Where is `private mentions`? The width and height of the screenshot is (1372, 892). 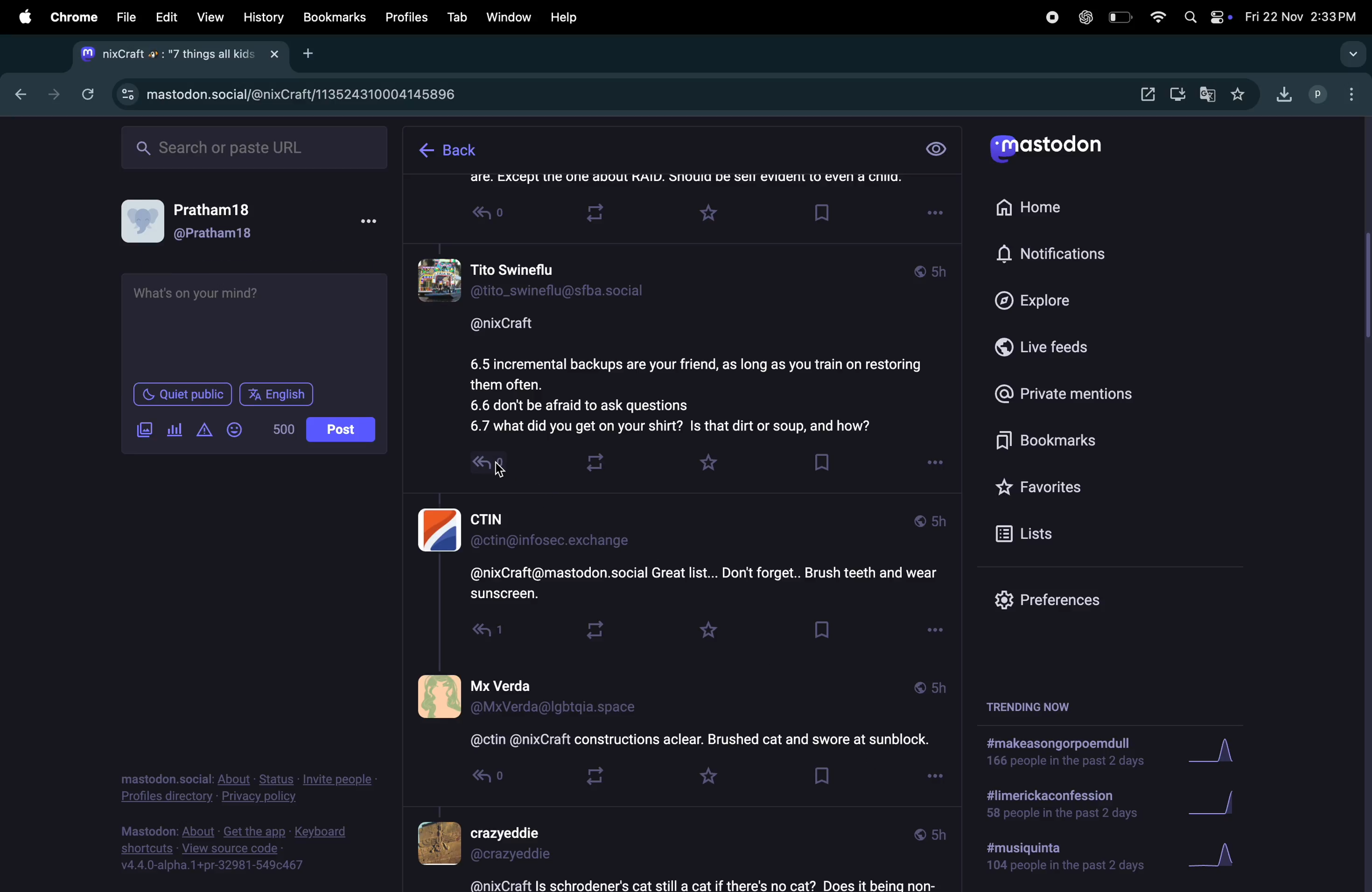 private mentions is located at coordinates (1077, 394).